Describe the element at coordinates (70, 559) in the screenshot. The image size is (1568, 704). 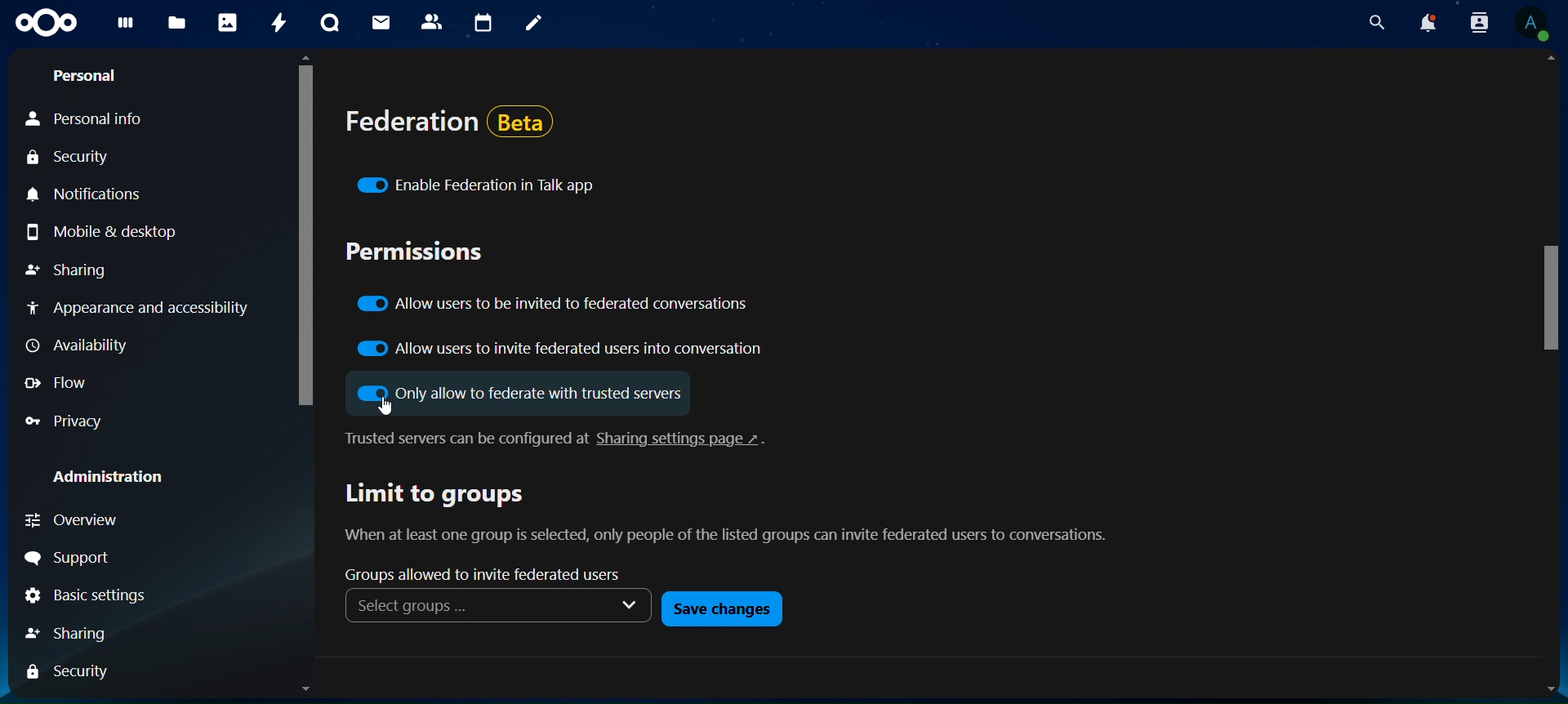
I see `support` at that location.